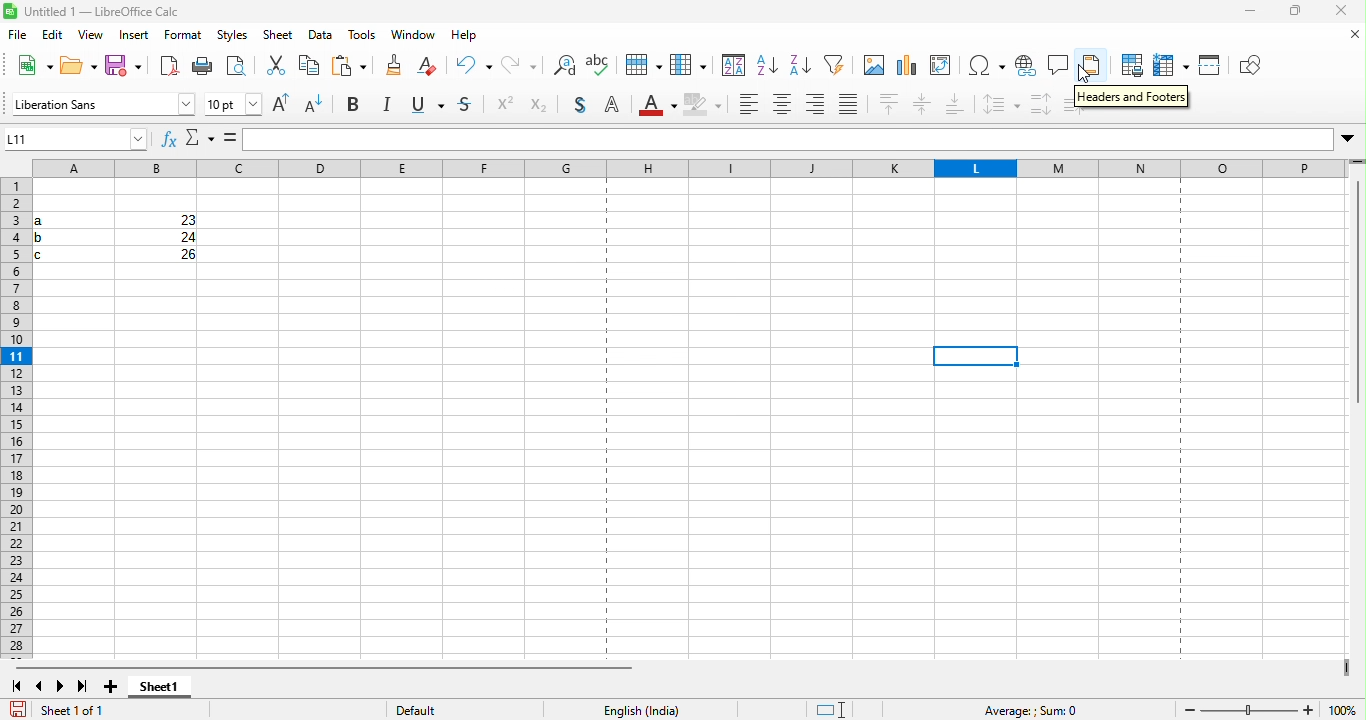  What do you see at coordinates (835, 66) in the screenshot?
I see `image` at bounding box center [835, 66].